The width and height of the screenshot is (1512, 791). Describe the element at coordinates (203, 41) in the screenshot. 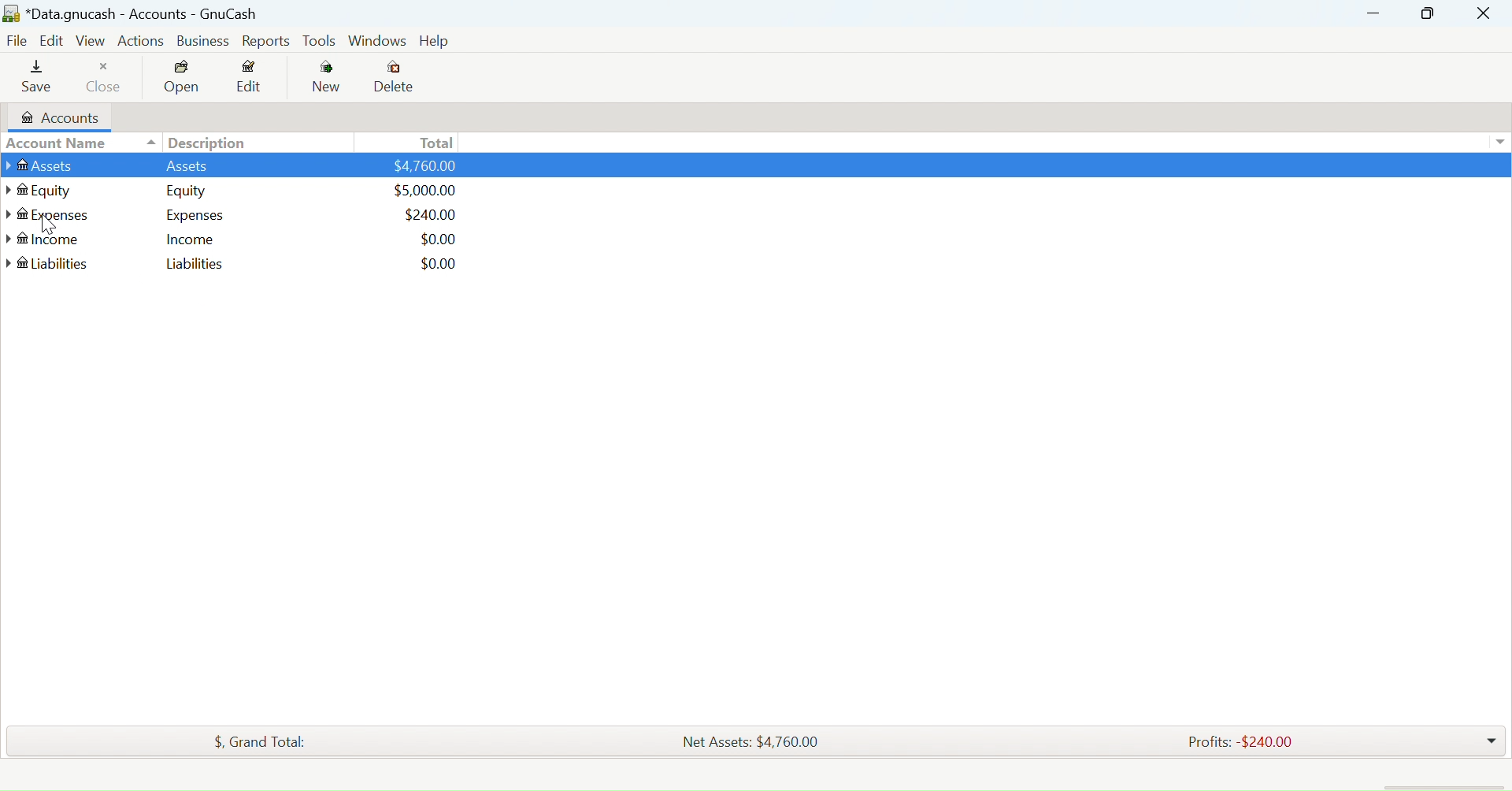

I see `Business` at that location.